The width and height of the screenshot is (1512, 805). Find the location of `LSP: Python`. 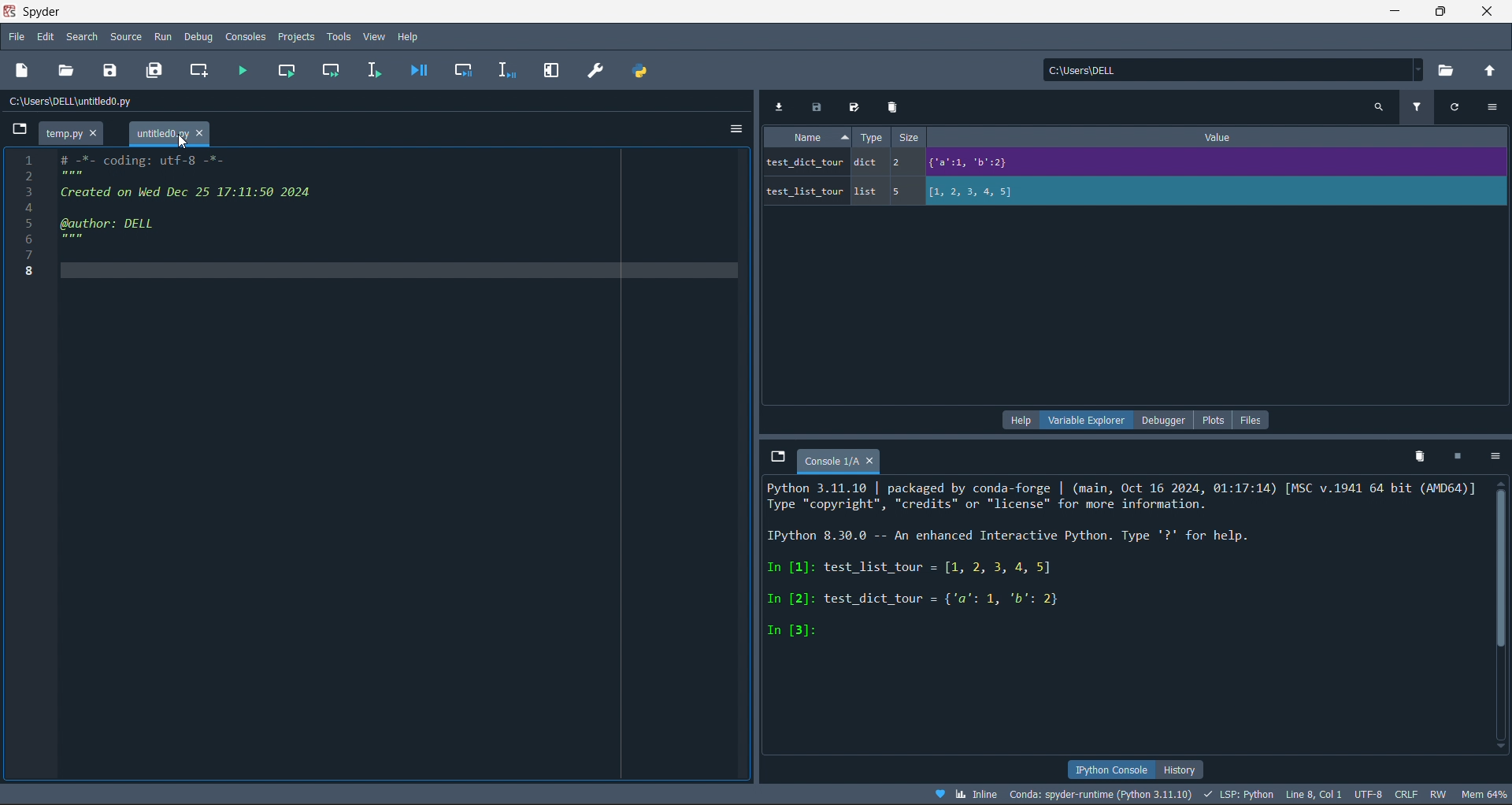

LSP: Python is located at coordinates (1240, 796).